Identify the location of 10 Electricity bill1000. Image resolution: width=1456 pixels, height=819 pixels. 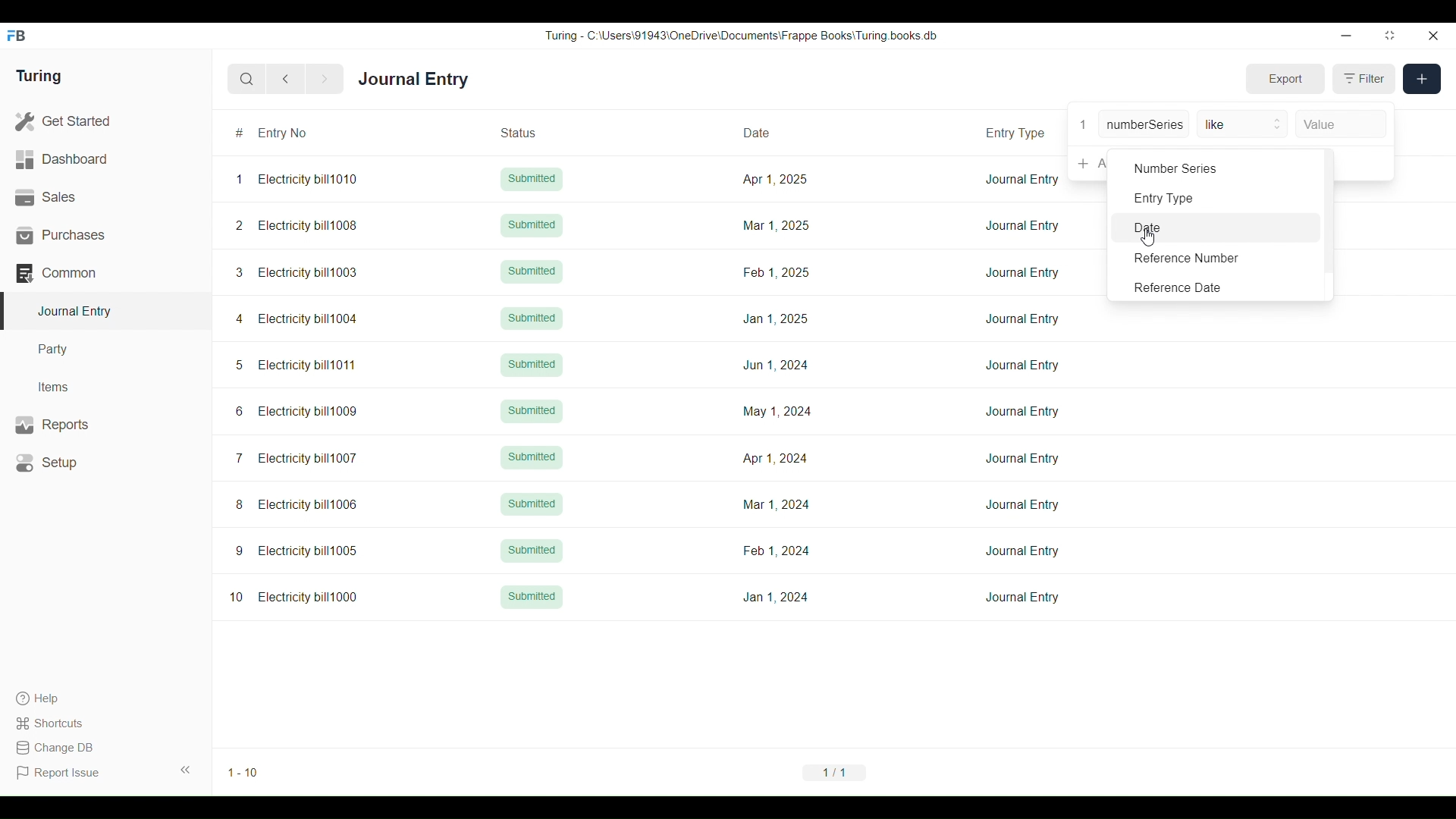
(294, 597).